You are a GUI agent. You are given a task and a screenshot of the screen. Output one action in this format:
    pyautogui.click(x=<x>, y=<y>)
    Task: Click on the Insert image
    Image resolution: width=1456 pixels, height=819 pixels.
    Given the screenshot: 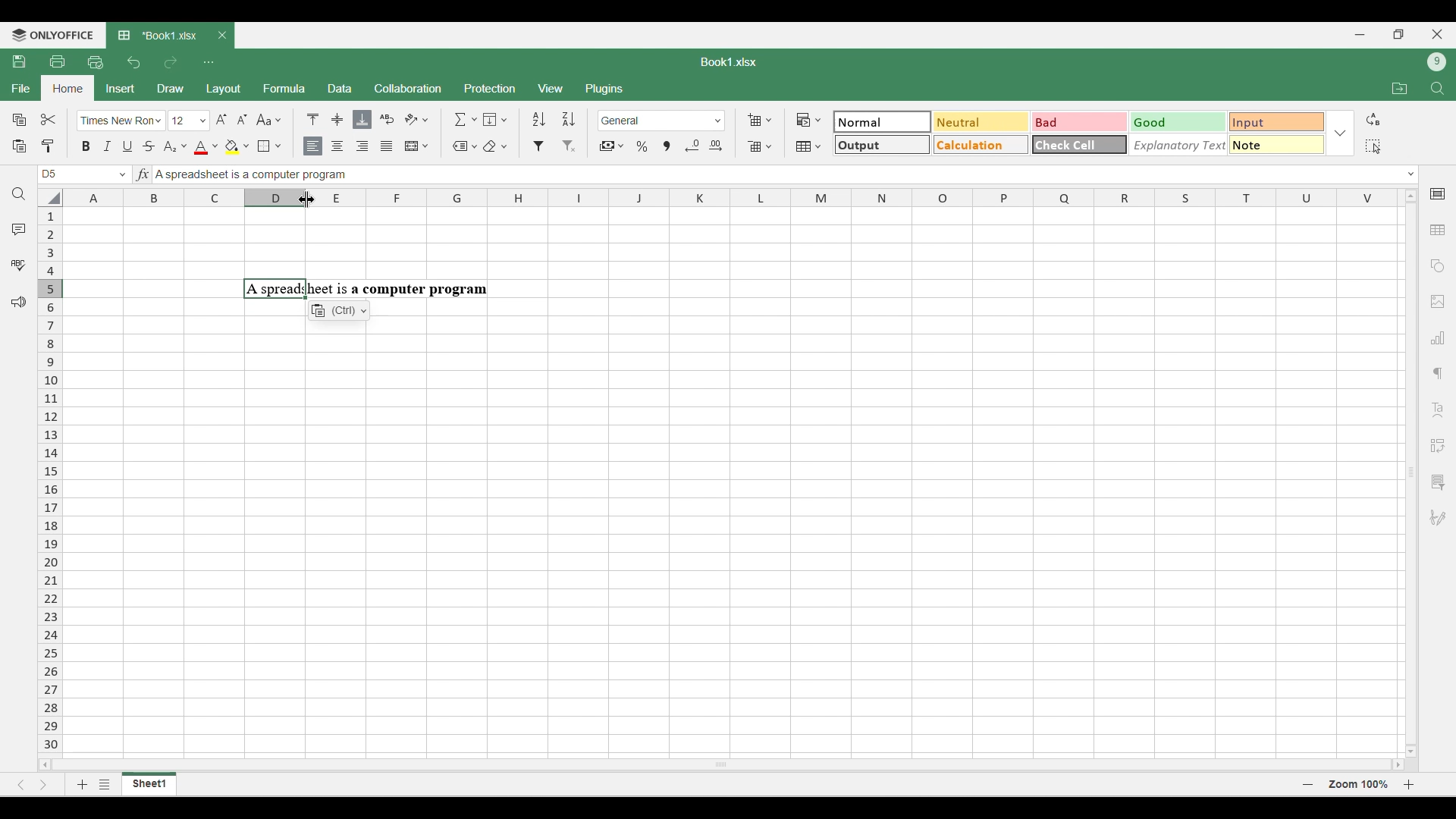 What is the action you would take?
    pyautogui.click(x=1439, y=303)
    